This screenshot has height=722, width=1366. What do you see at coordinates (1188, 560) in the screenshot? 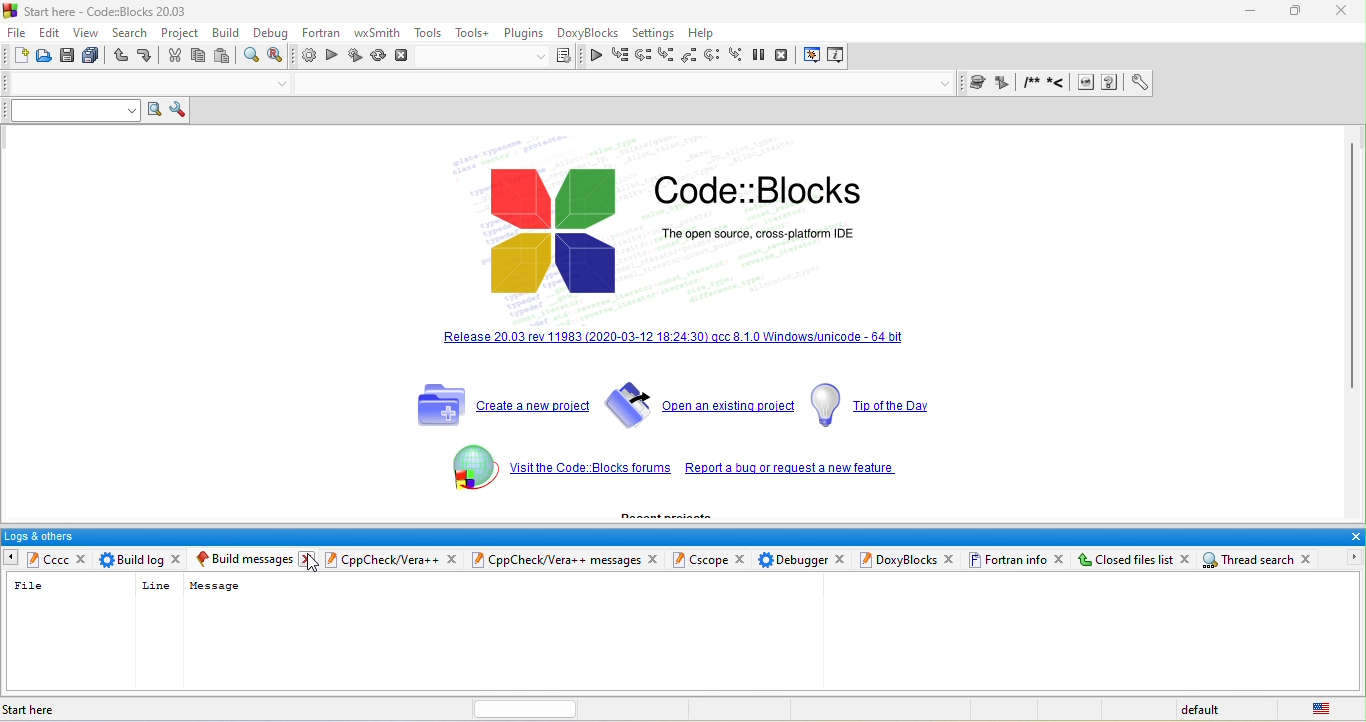
I see `close` at bounding box center [1188, 560].